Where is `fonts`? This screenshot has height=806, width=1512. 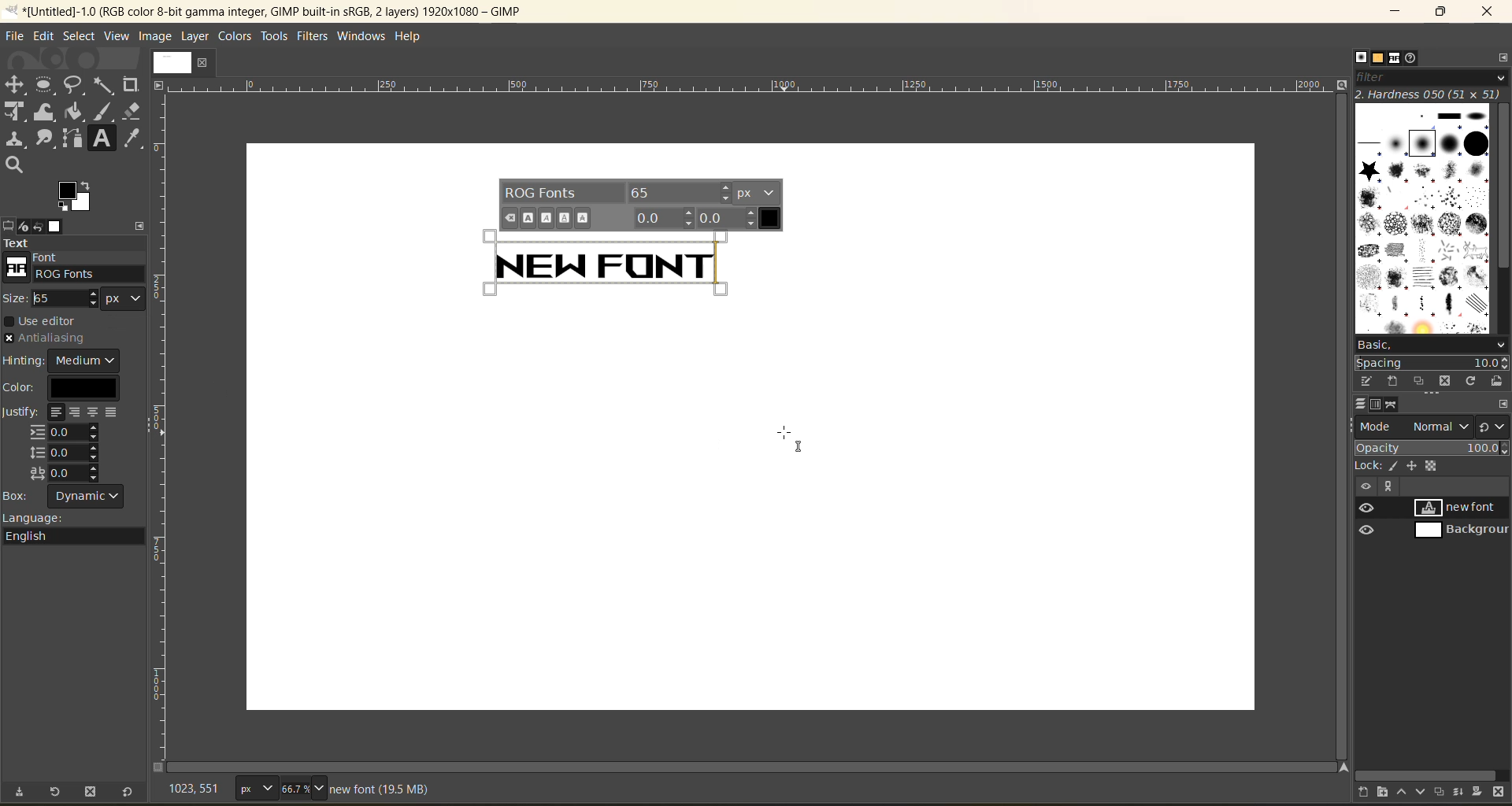
fonts is located at coordinates (1397, 58).